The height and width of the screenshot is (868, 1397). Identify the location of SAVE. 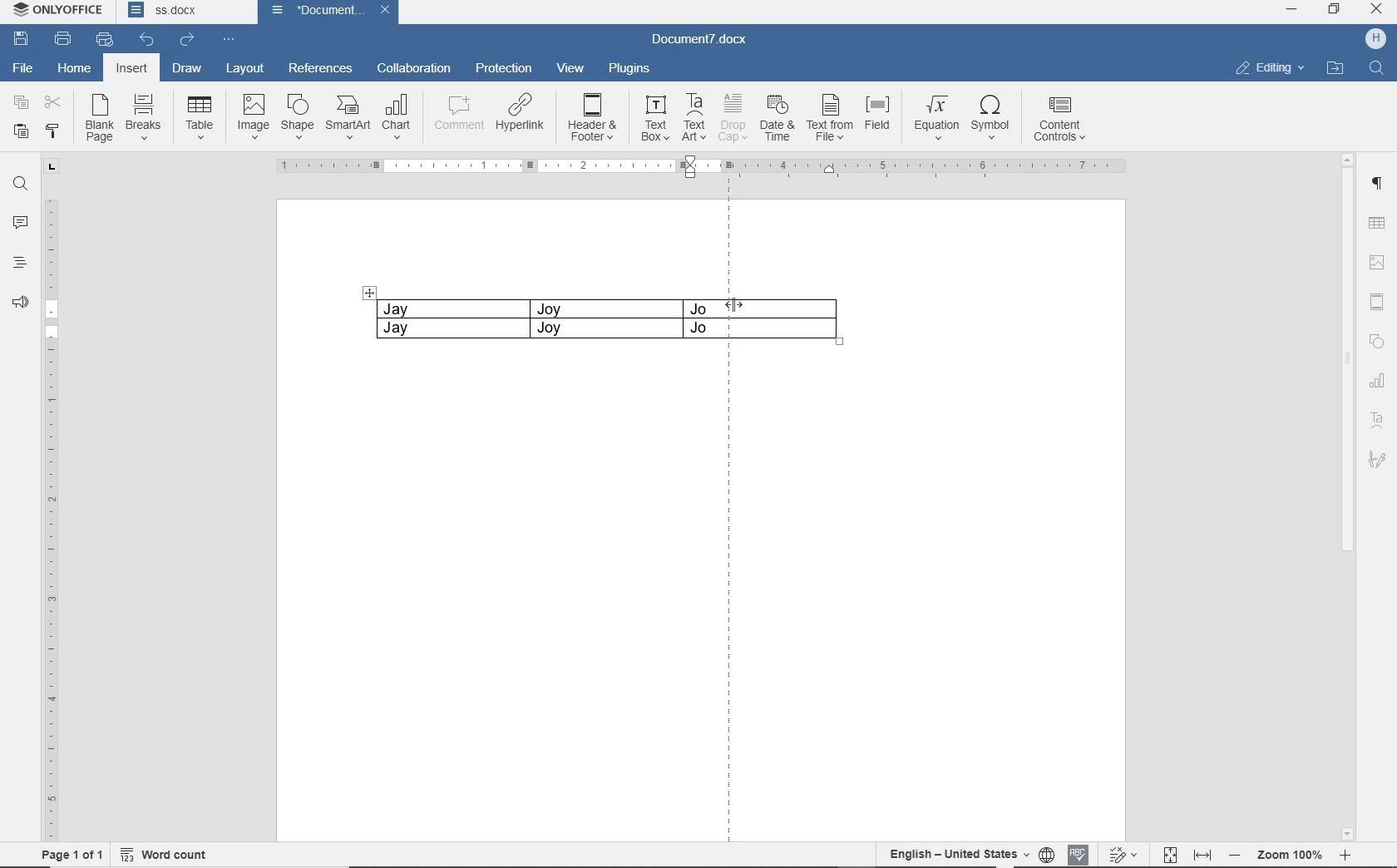
(22, 39).